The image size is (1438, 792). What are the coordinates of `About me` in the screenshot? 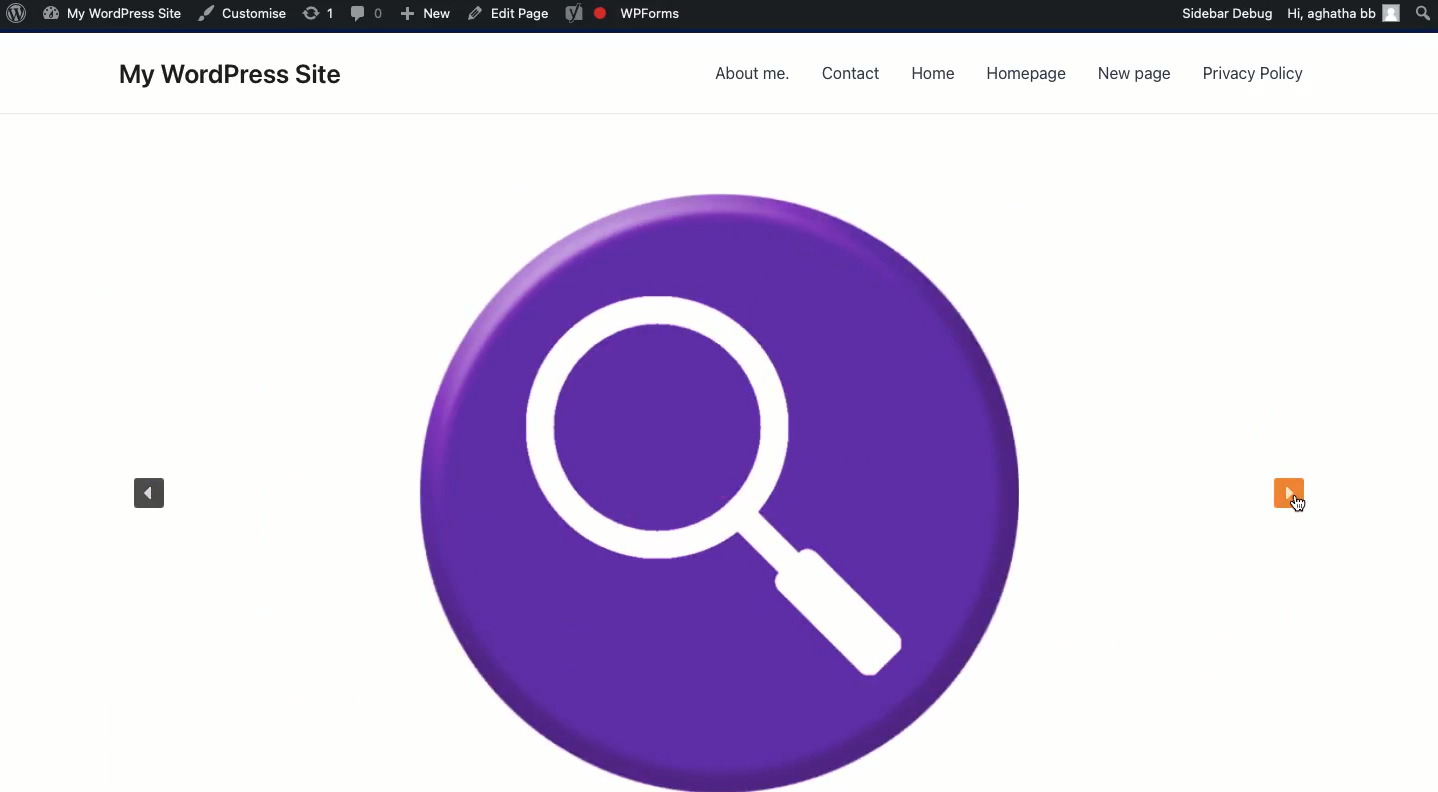 It's located at (755, 75).